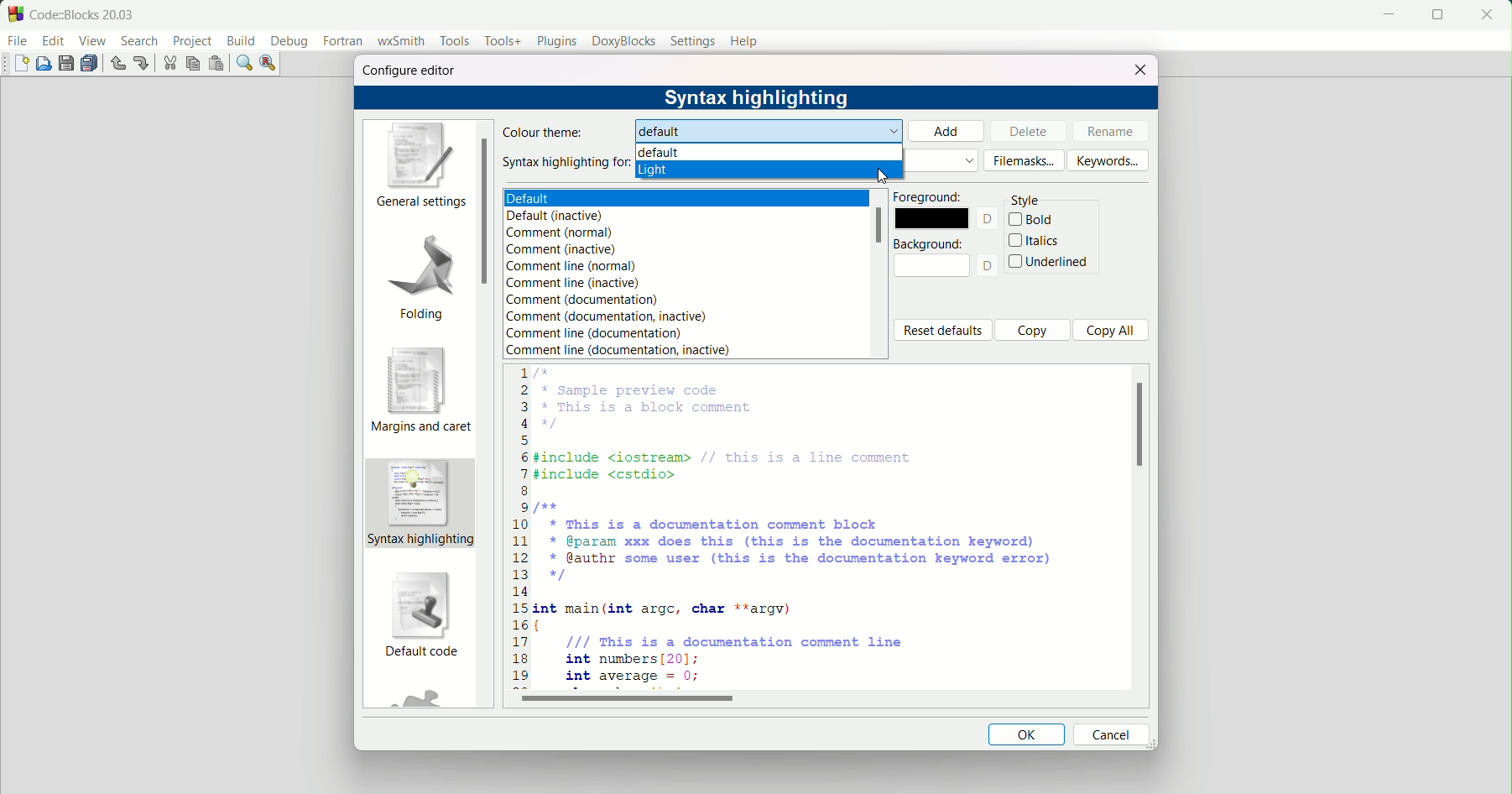  Describe the element at coordinates (18, 42) in the screenshot. I see `file` at that location.